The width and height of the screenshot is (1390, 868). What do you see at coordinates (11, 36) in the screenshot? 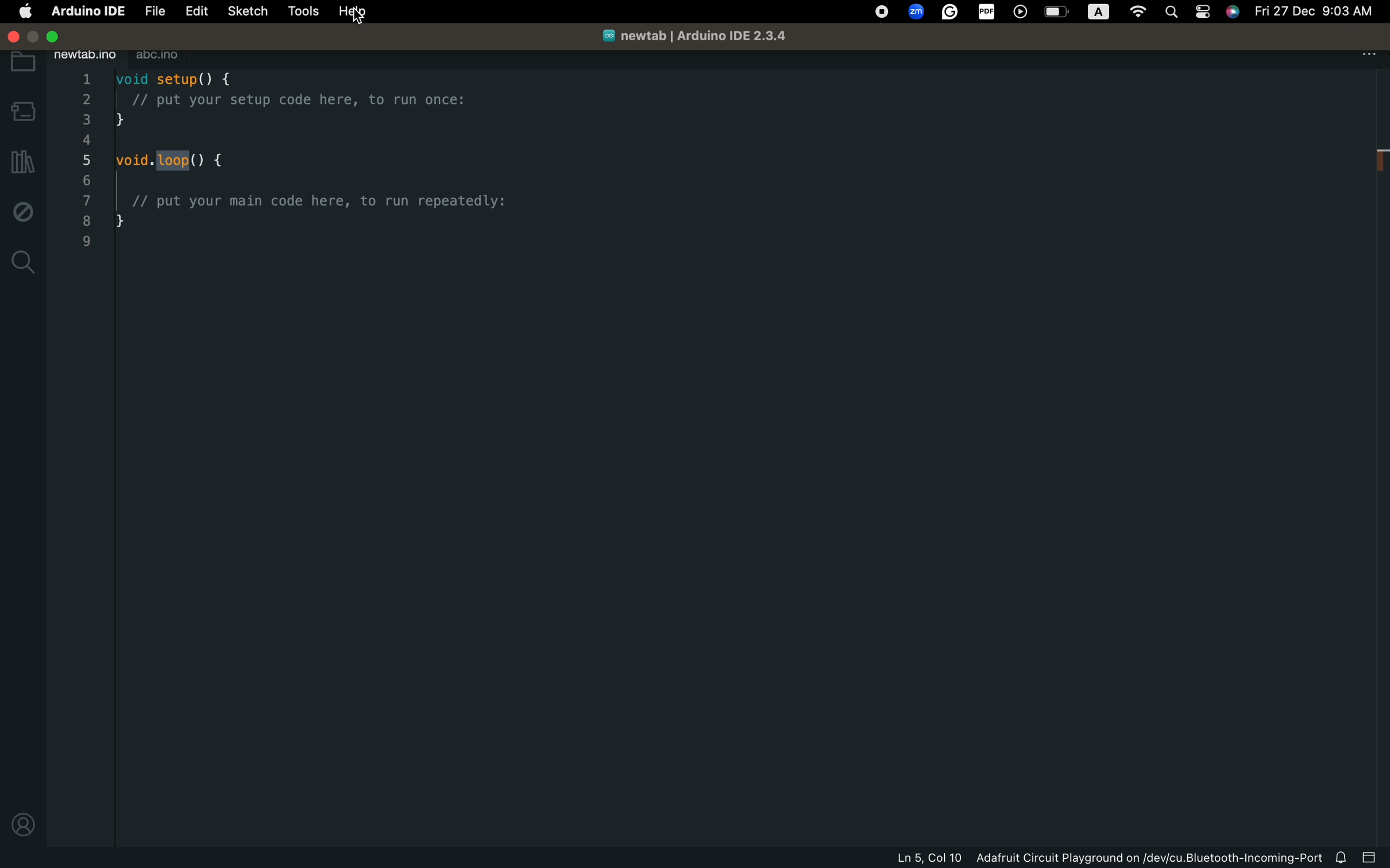
I see `window control` at bounding box center [11, 36].